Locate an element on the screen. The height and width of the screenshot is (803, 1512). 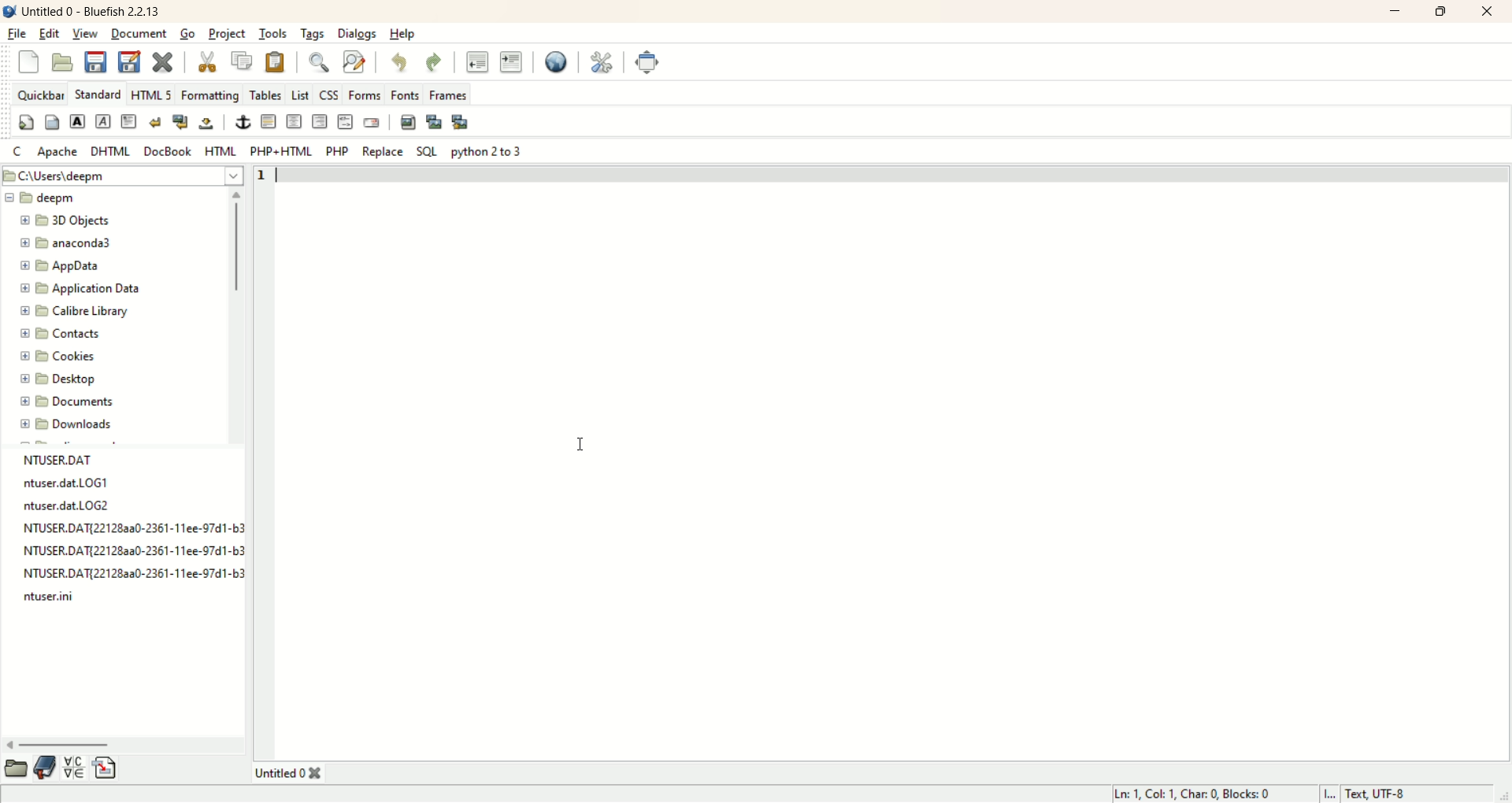
view is located at coordinates (84, 35).